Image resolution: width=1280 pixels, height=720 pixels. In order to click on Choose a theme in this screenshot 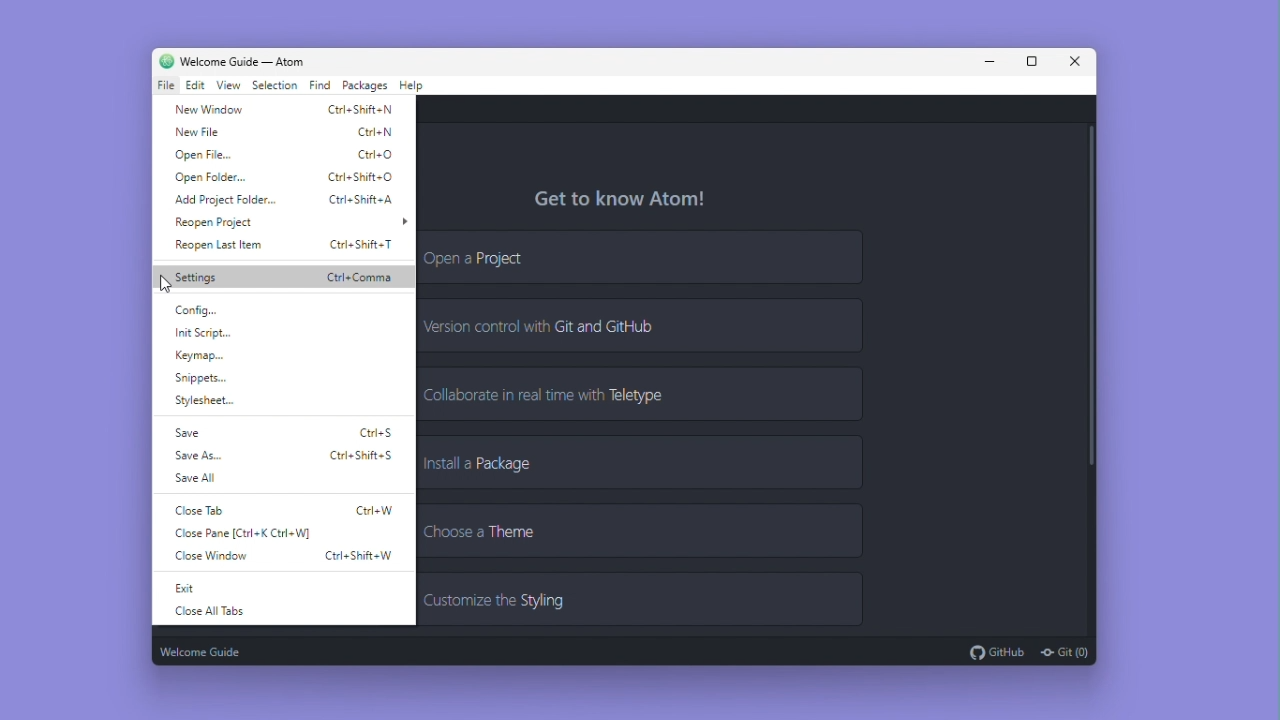, I will do `click(643, 532)`.